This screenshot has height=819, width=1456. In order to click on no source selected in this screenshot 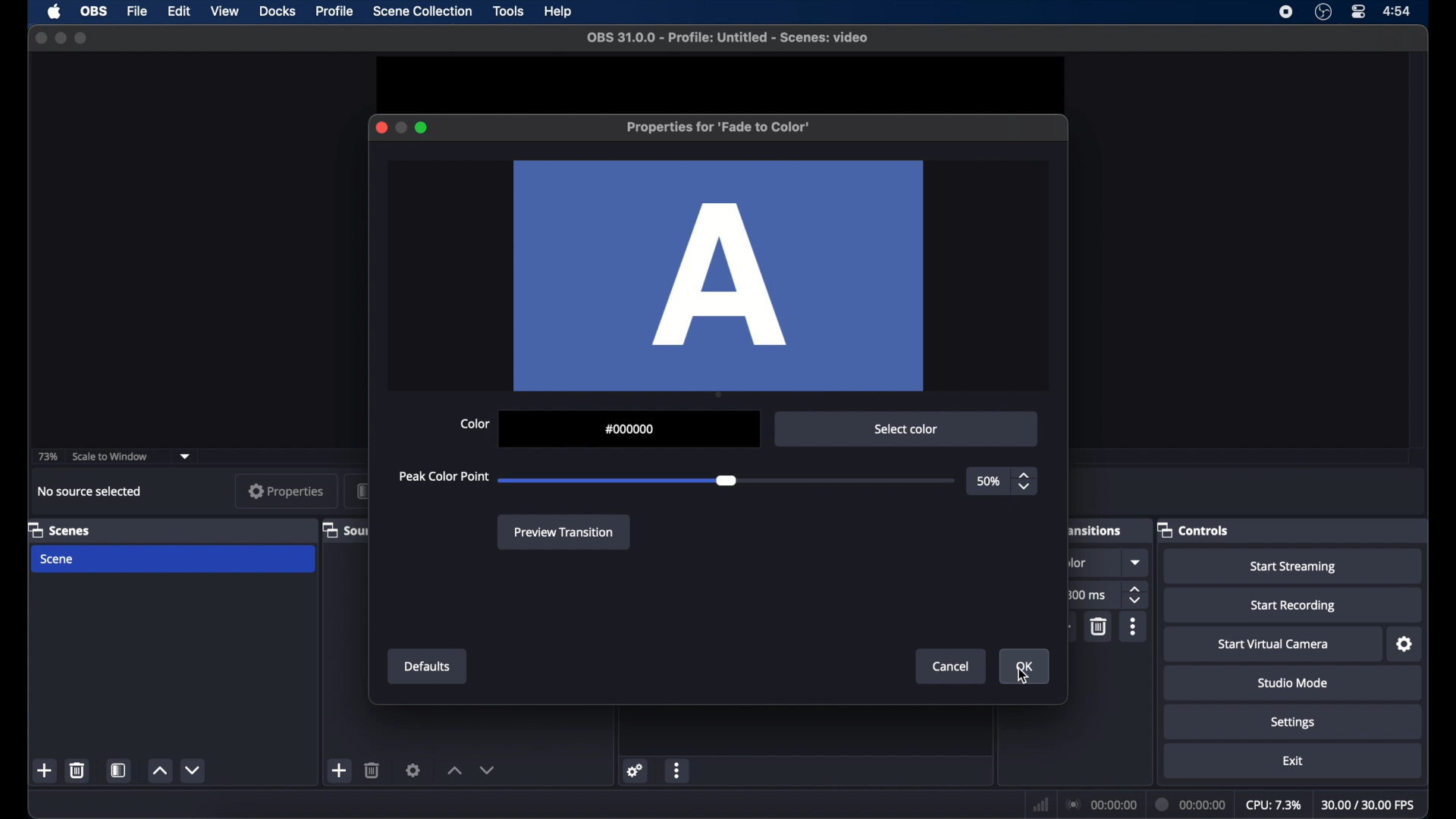, I will do `click(89, 491)`.